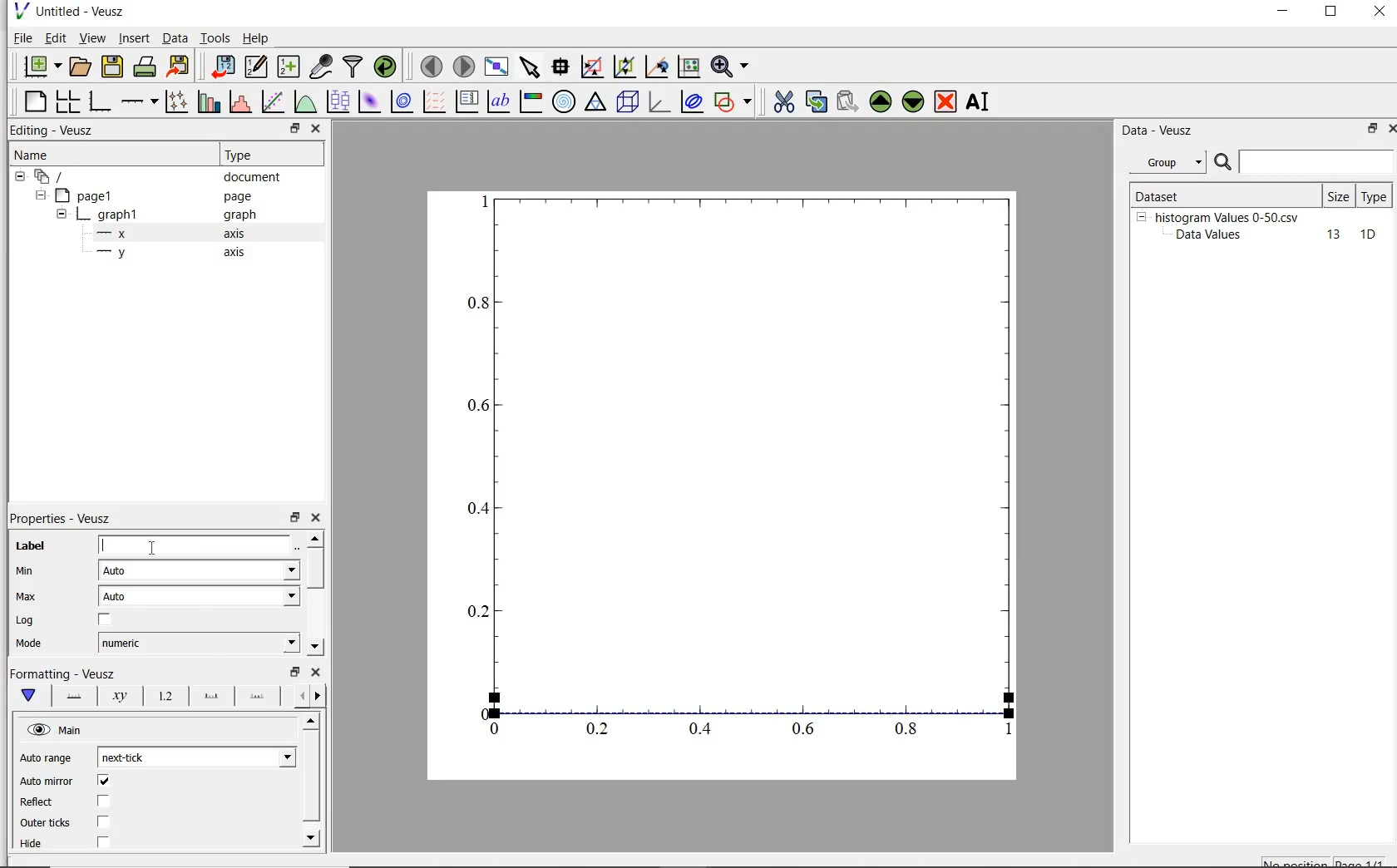 The height and width of the screenshot is (868, 1397). Describe the element at coordinates (295, 672) in the screenshot. I see `restore down` at that location.